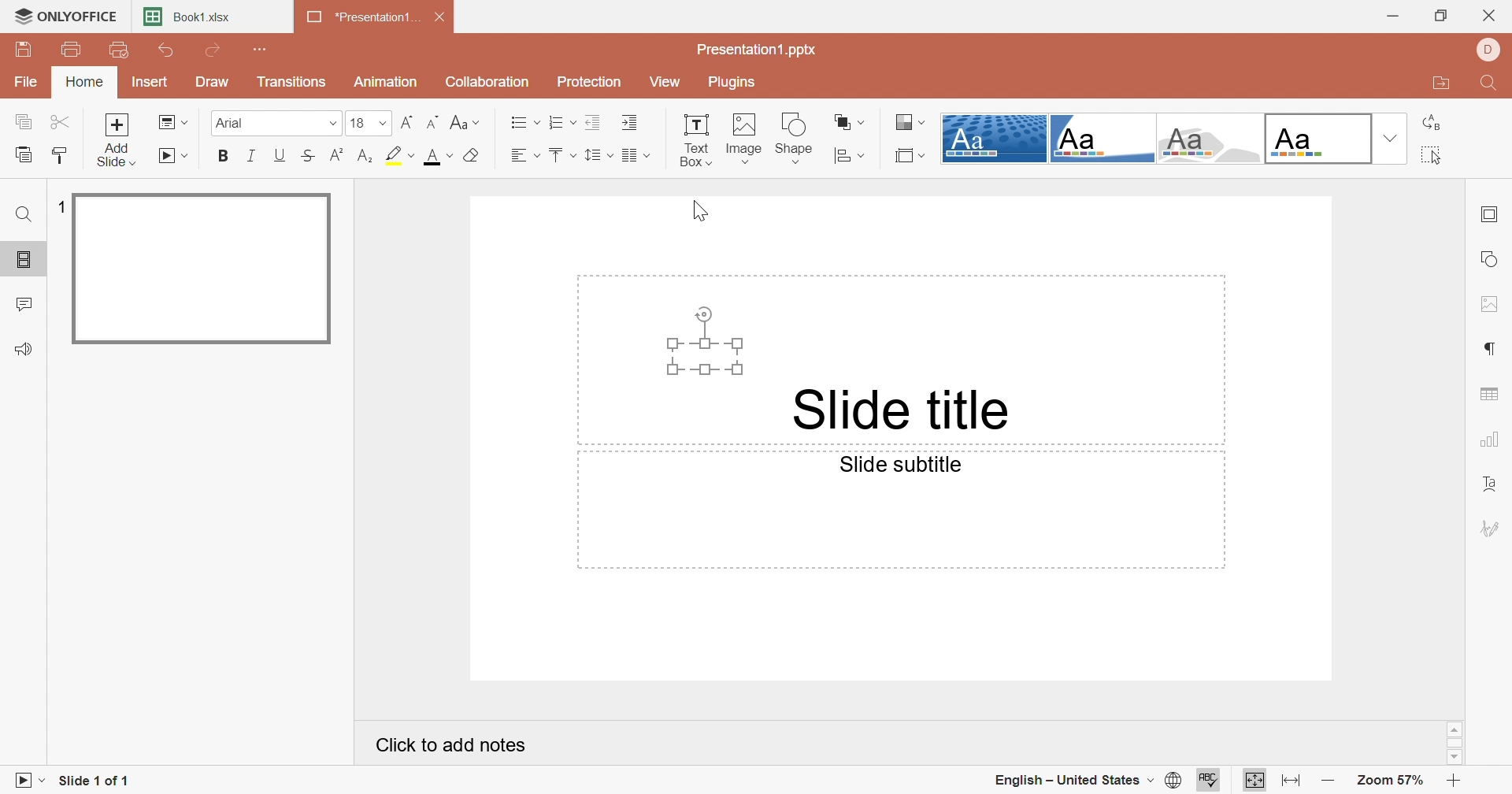 This screenshot has width=1512, height=794. Describe the element at coordinates (24, 213) in the screenshot. I see `Find` at that location.